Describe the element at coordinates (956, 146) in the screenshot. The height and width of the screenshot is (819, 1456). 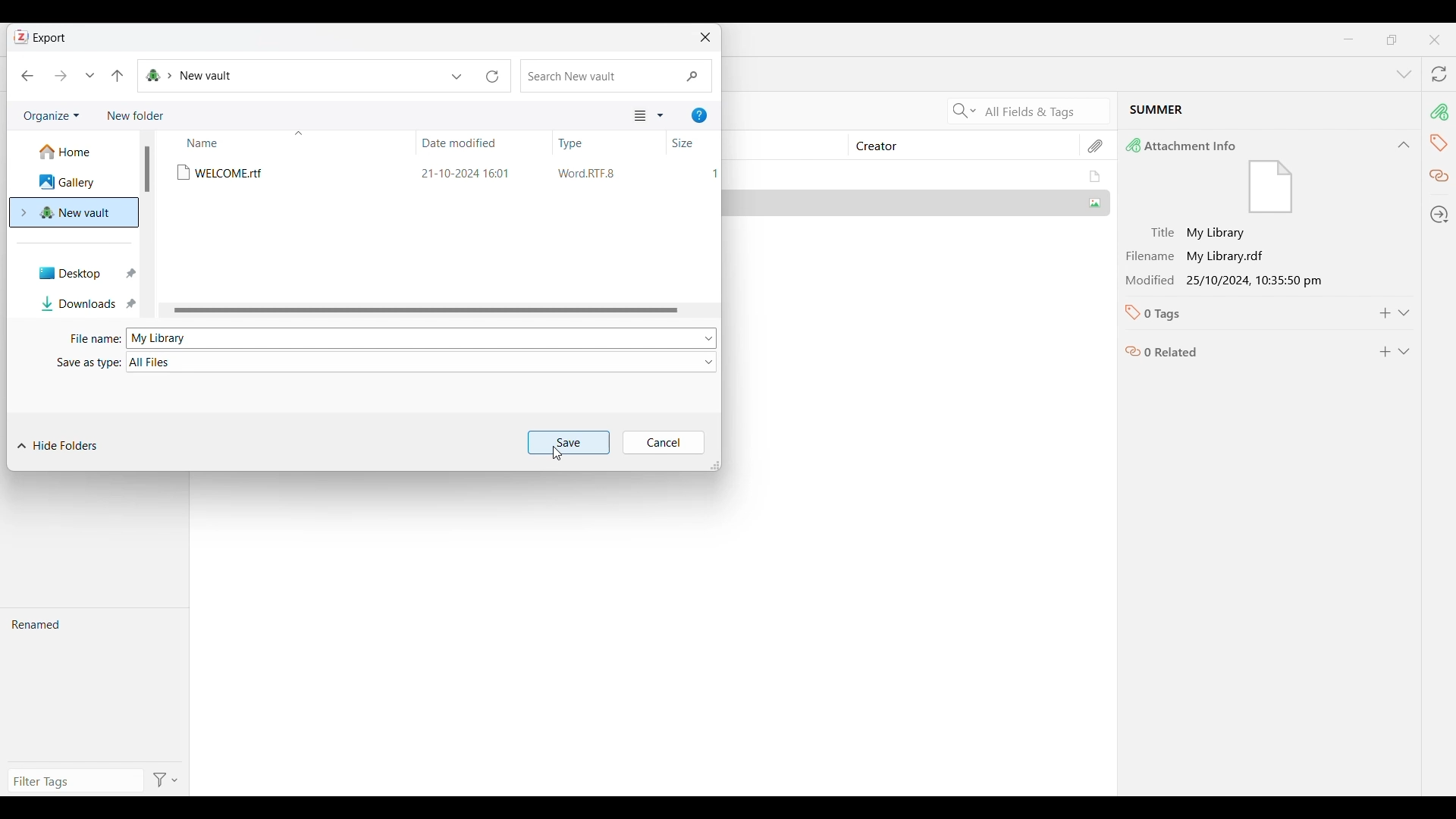
I see `Creator ` at that location.